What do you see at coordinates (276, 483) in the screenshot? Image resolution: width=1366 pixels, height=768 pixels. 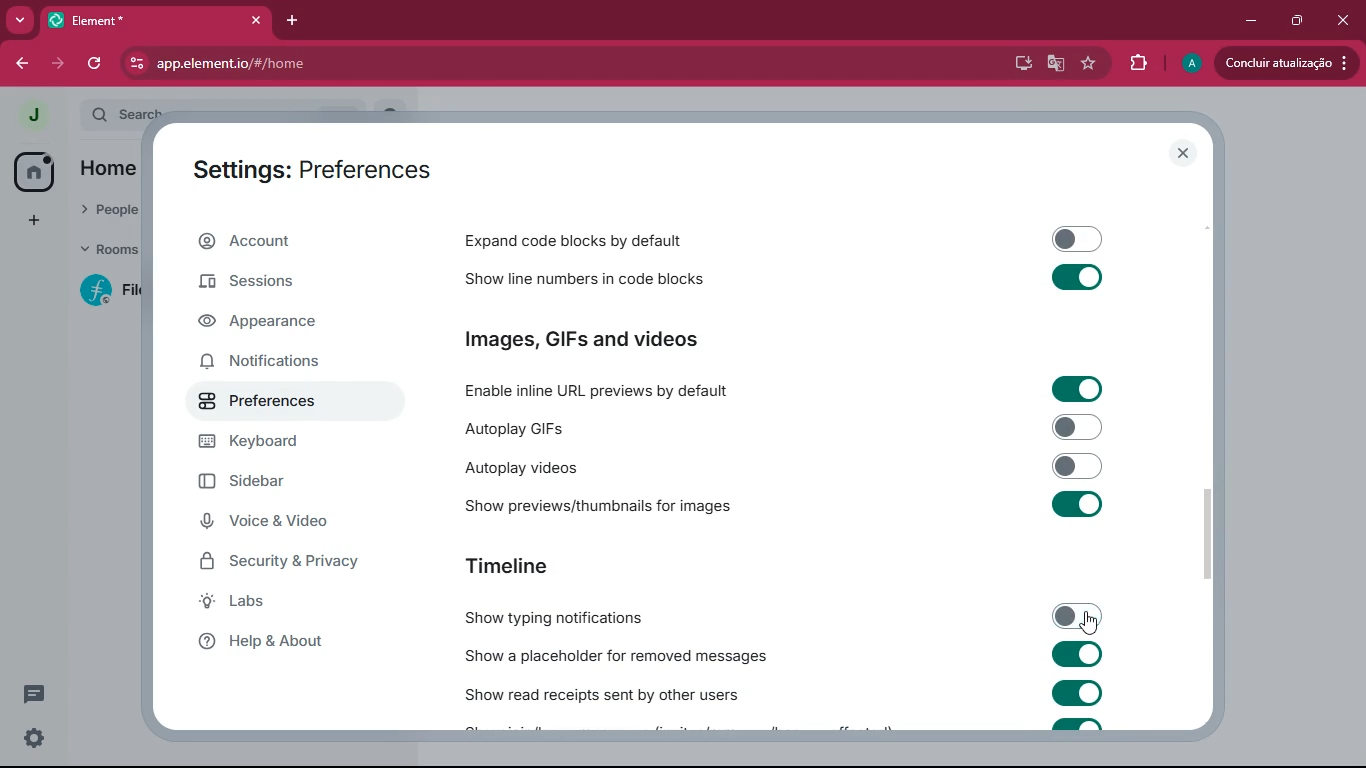 I see `sidebar` at bounding box center [276, 483].